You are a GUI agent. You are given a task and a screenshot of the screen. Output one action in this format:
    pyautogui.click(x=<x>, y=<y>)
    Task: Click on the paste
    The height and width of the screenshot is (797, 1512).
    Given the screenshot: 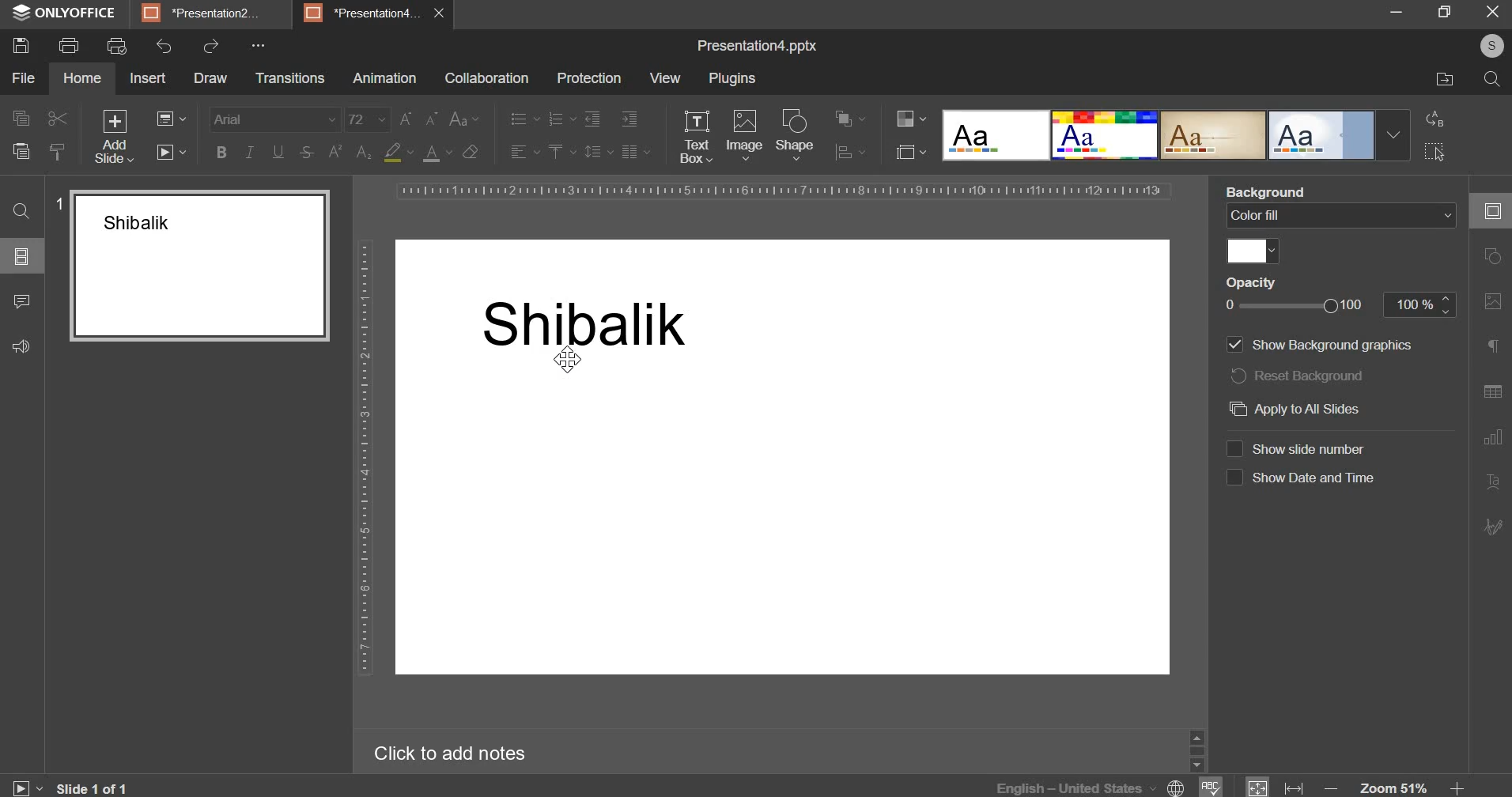 What is the action you would take?
    pyautogui.click(x=20, y=150)
    